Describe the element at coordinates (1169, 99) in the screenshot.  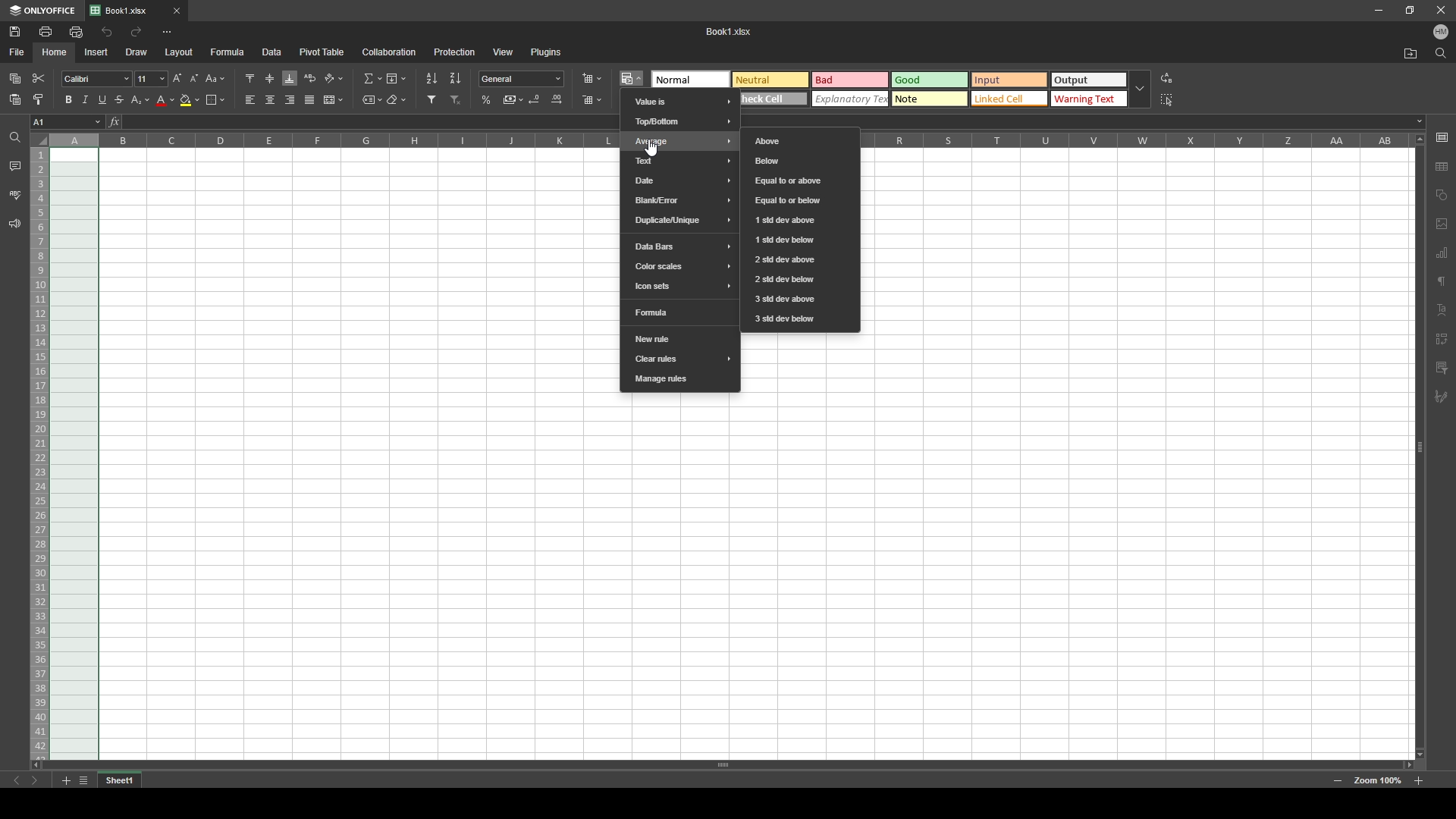
I see `select all` at that location.